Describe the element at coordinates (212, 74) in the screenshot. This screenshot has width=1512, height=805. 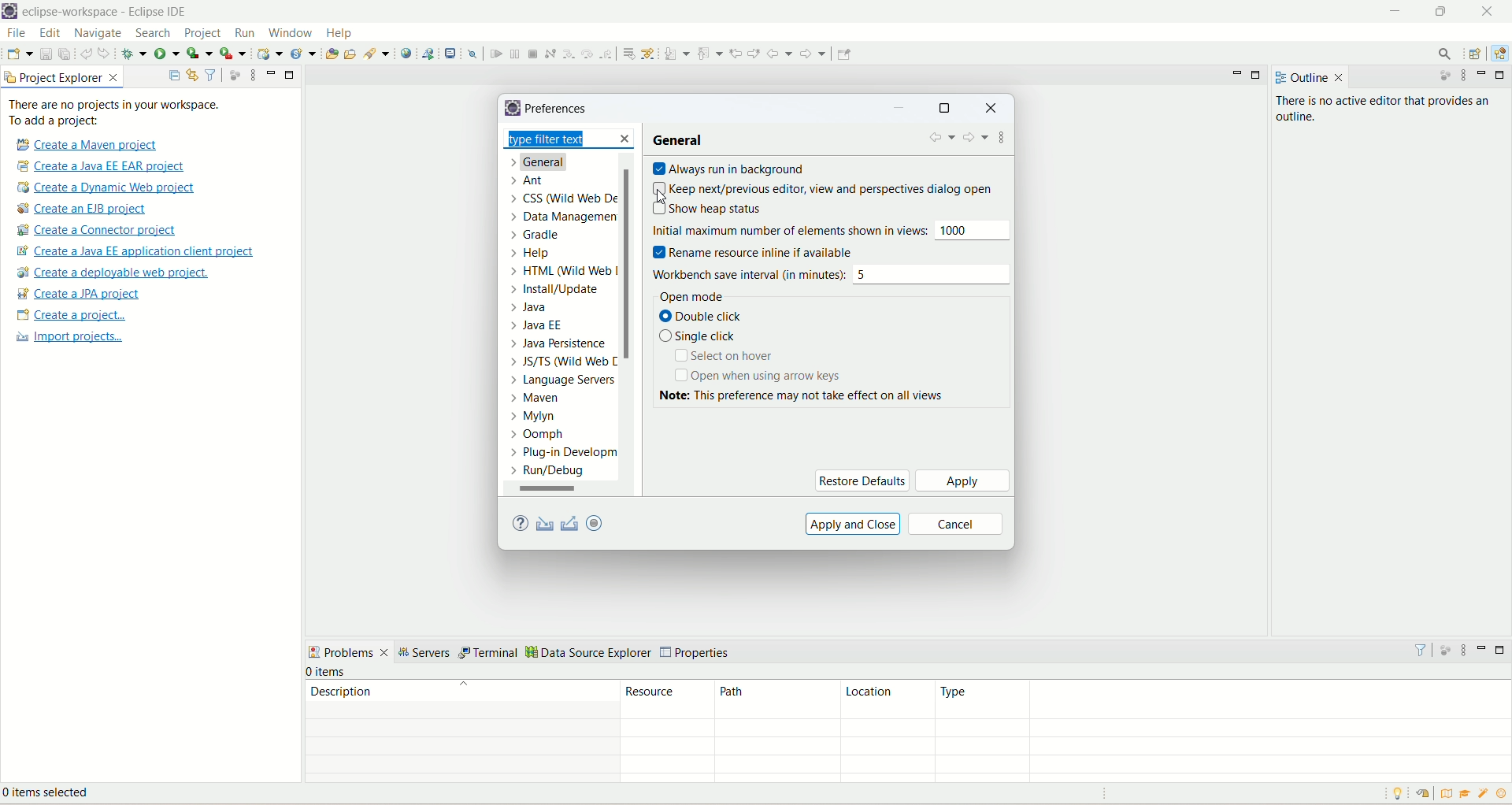
I see `select and deselect filters` at that location.